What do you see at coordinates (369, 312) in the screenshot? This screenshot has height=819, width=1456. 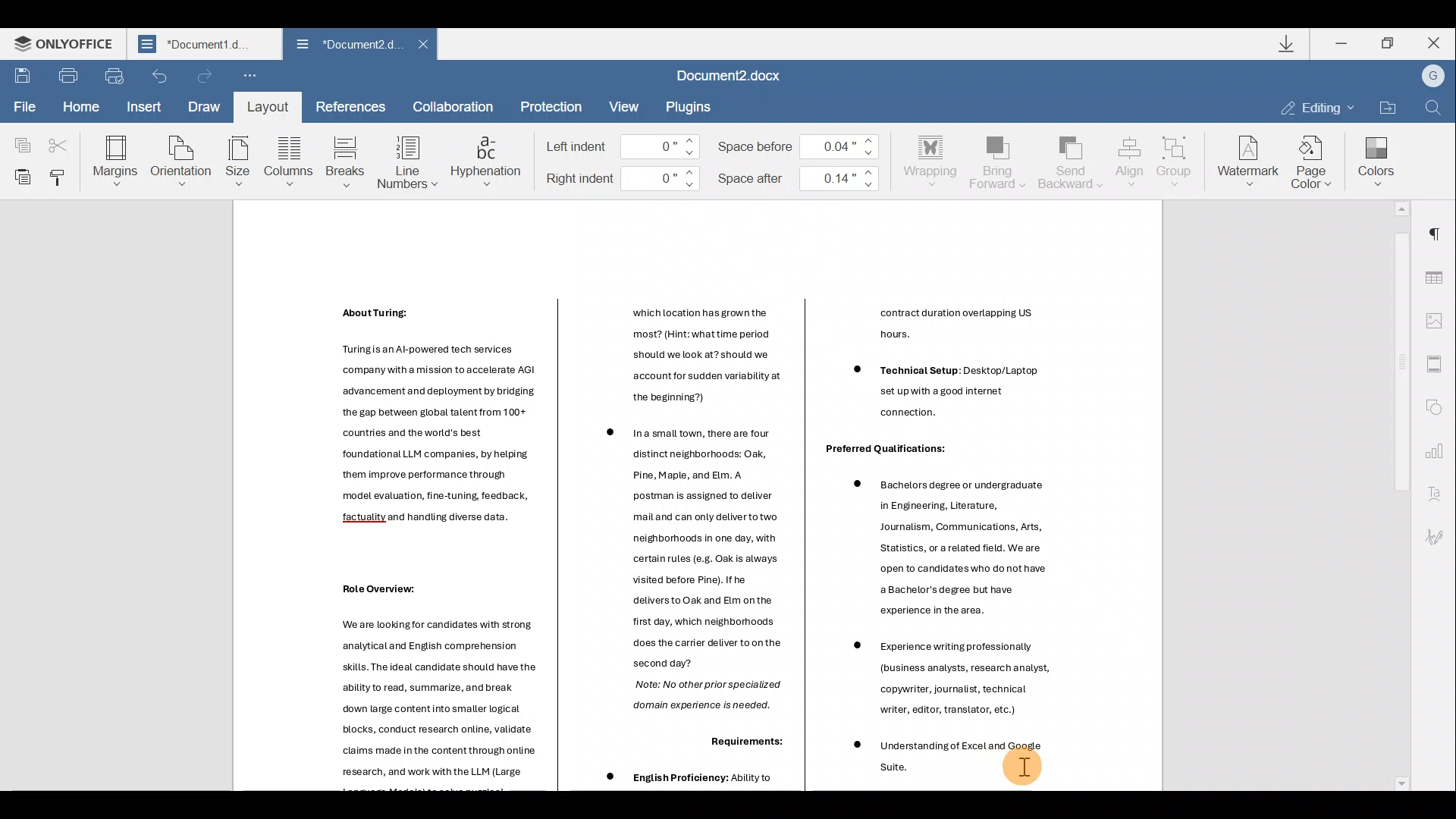 I see `` at bounding box center [369, 312].